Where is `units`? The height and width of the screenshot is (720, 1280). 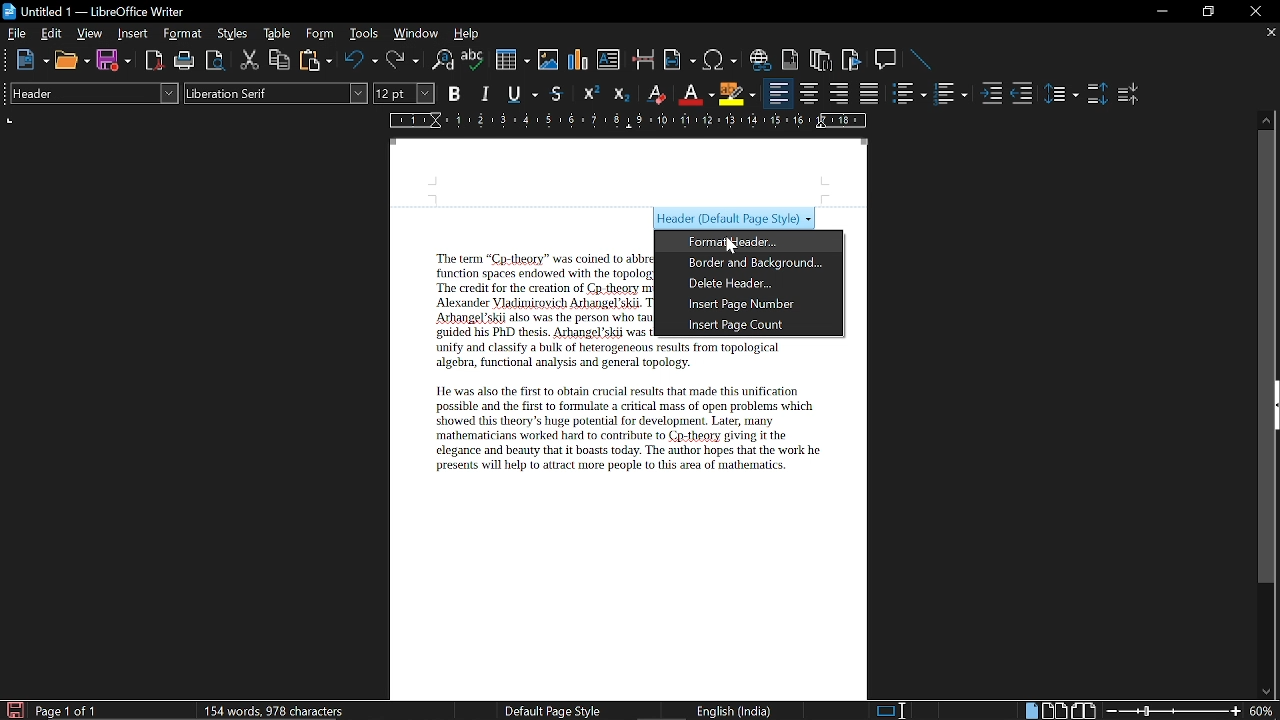
units is located at coordinates (10, 123).